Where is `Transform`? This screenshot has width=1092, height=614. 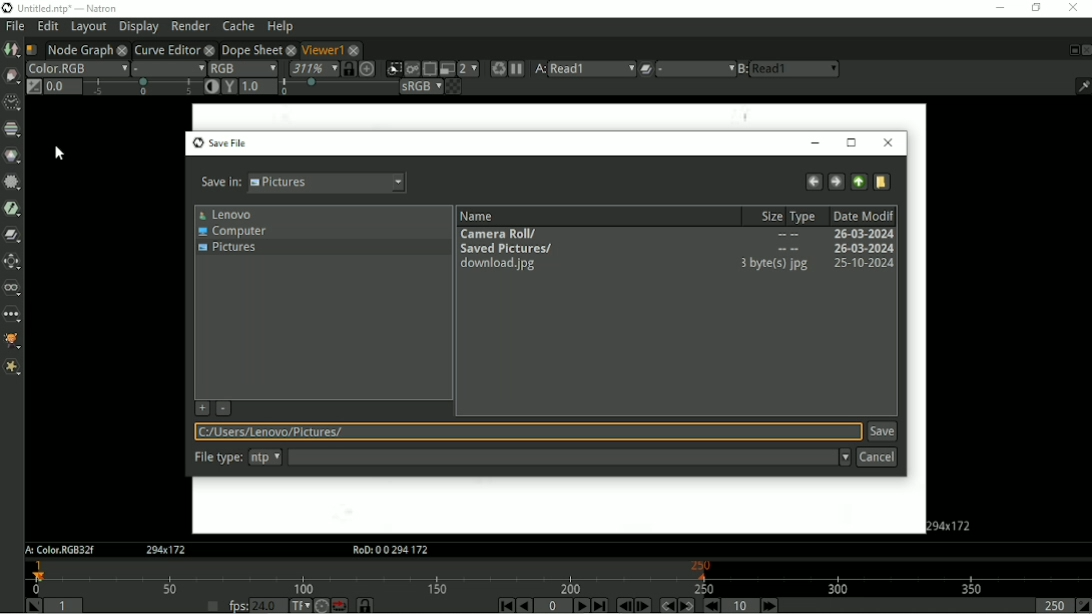 Transform is located at coordinates (12, 262).